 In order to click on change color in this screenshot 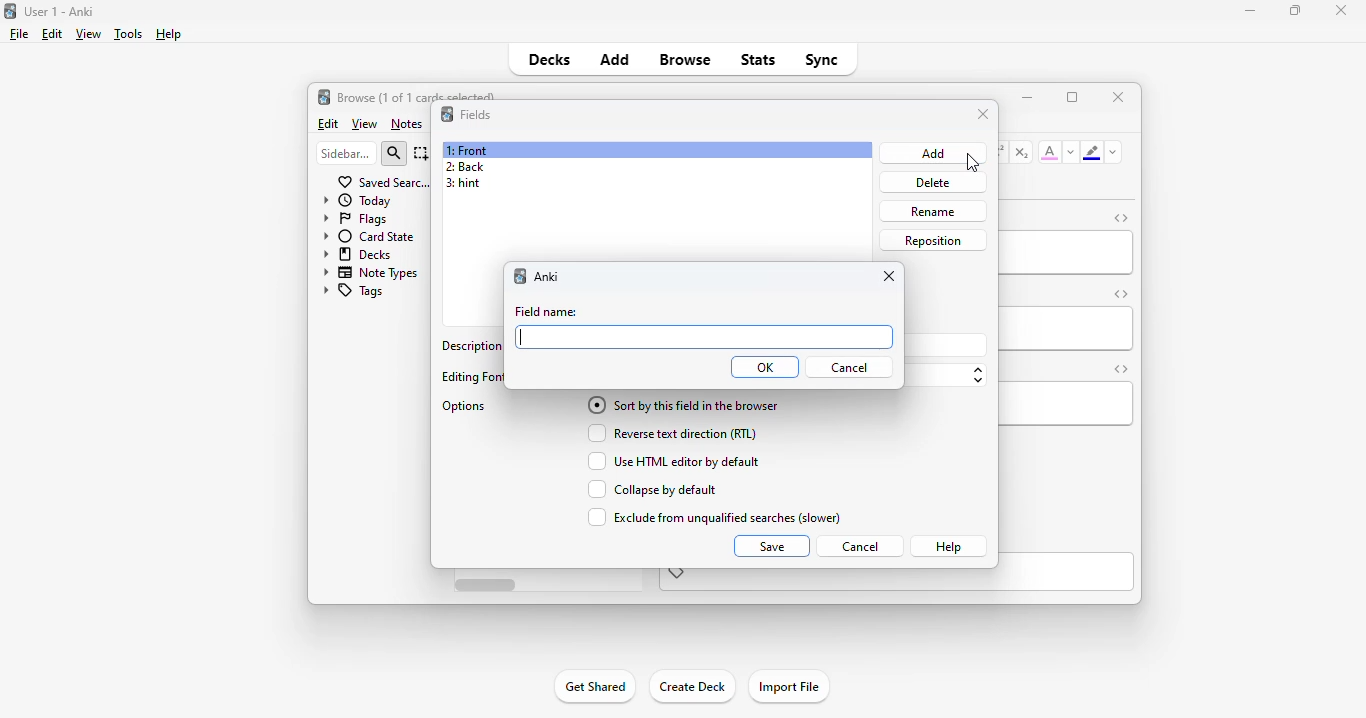, I will do `click(1113, 152)`.